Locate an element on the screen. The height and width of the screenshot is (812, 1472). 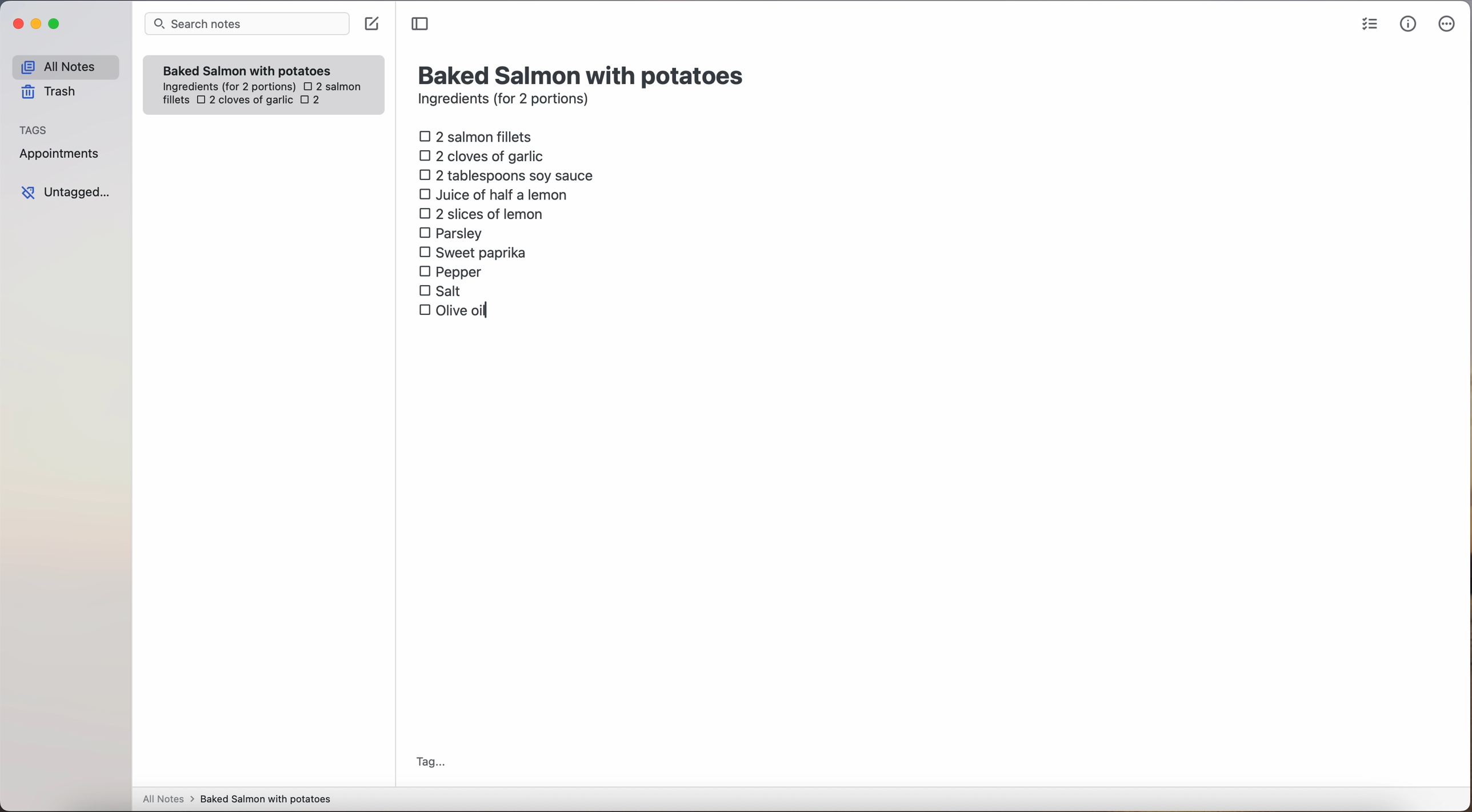
tags is located at coordinates (34, 129).